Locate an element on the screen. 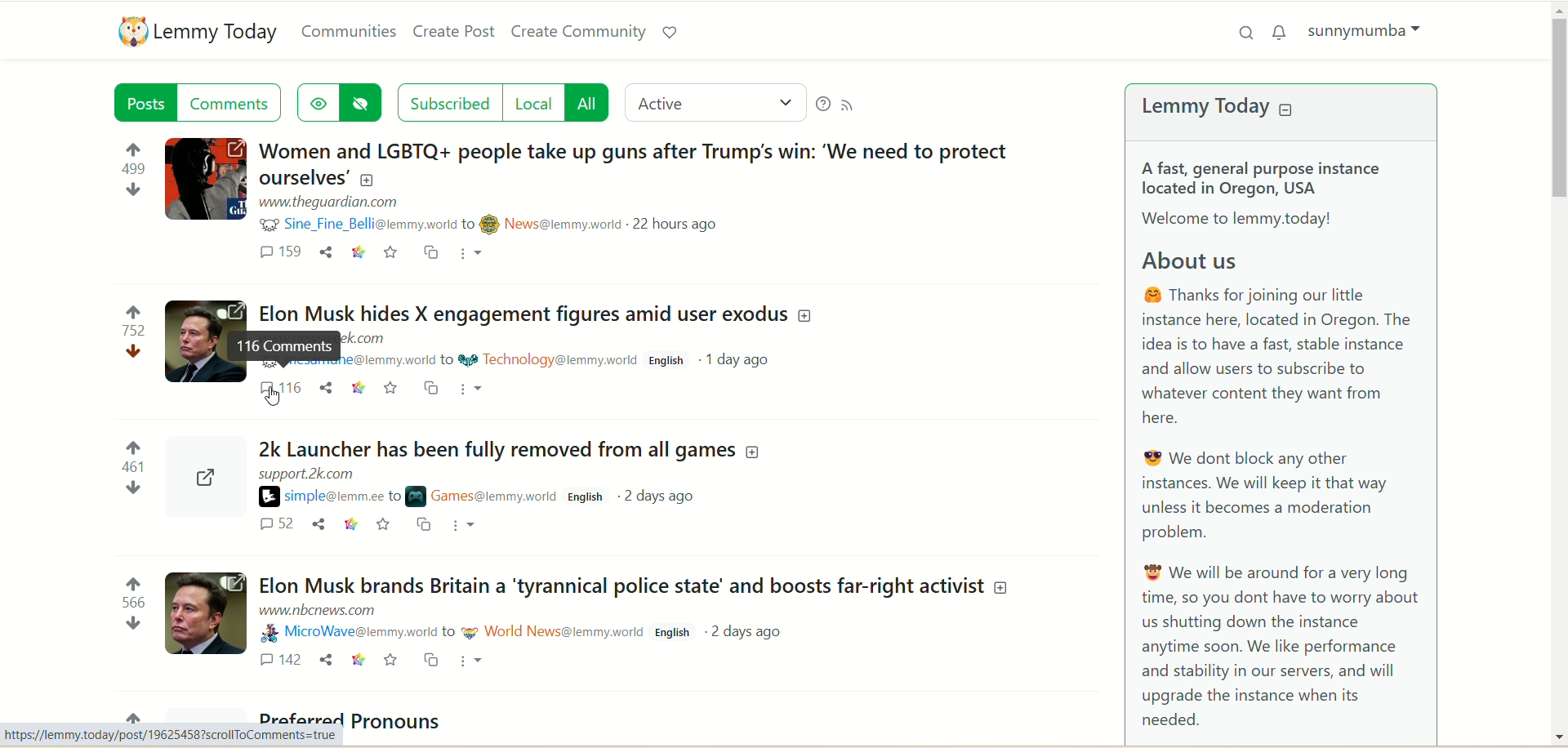 Image resolution: width=1568 pixels, height=748 pixels. Women and LGBTQ+ people take up guns after Trump's win: ‘We need to protect is located at coordinates (634, 150).